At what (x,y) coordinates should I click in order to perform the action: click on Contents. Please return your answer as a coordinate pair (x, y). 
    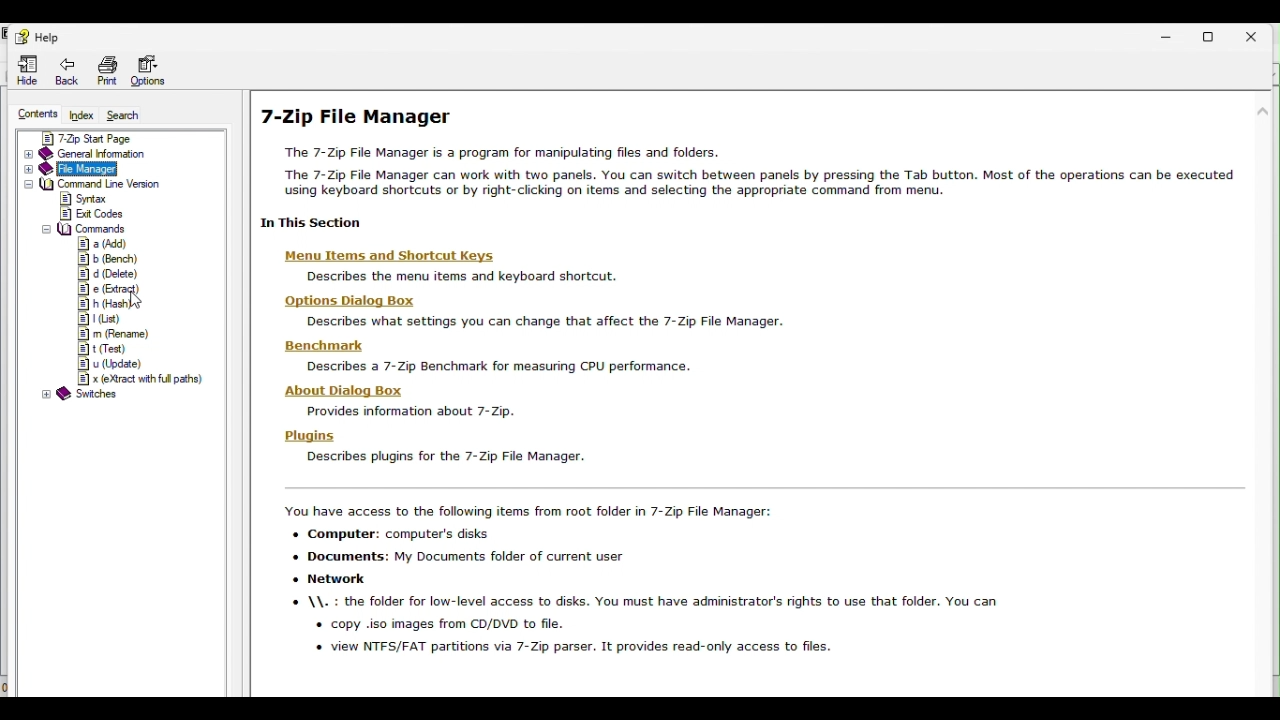
    Looking at the image, I should click on (36, 111).